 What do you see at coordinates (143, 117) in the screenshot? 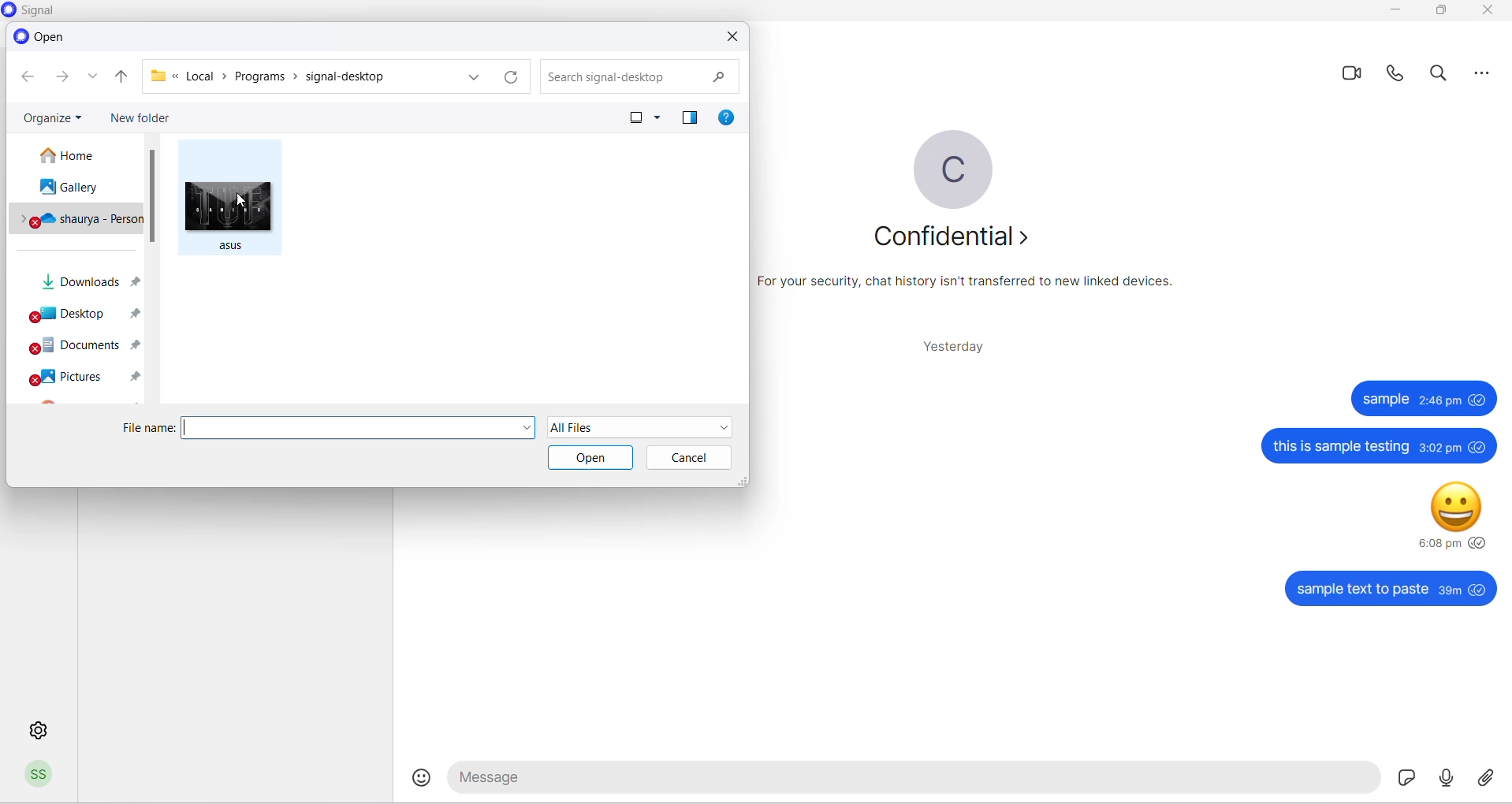
I see `new folder` at bounding box center [143, 117].